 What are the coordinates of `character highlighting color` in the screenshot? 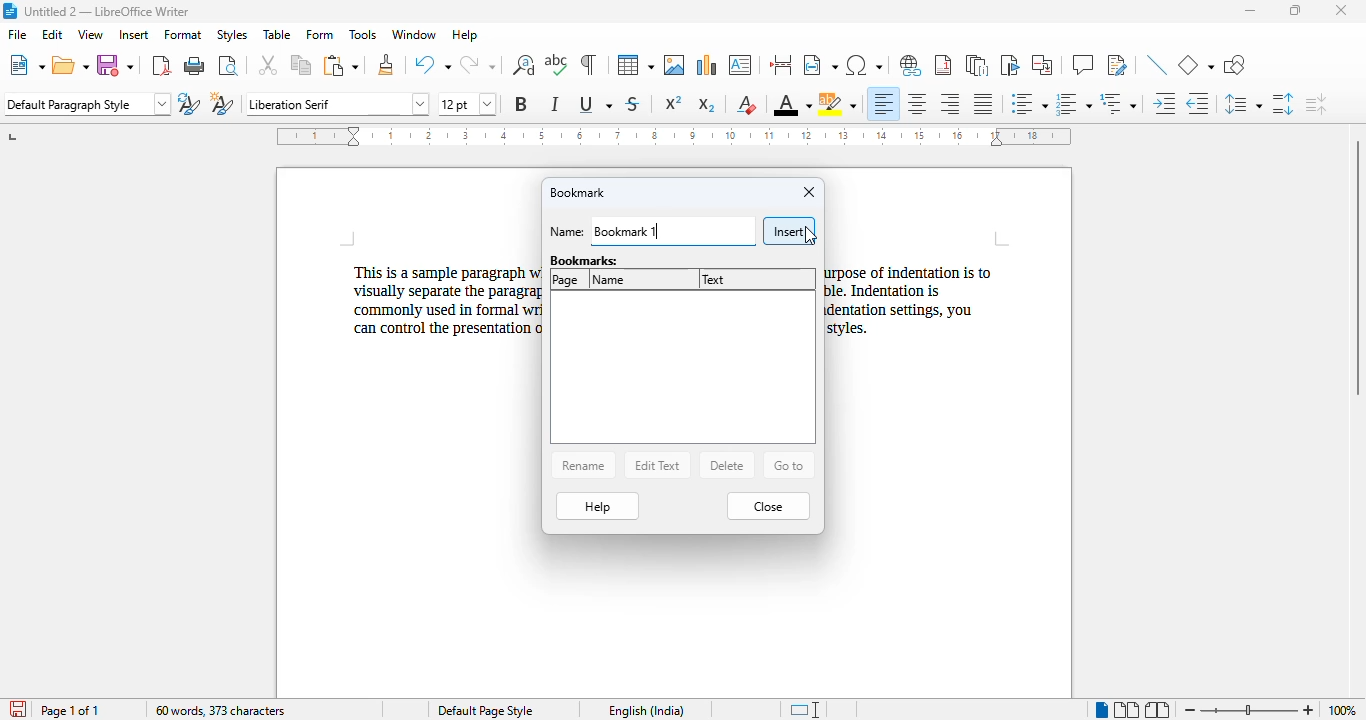 It's located at (838, 104).